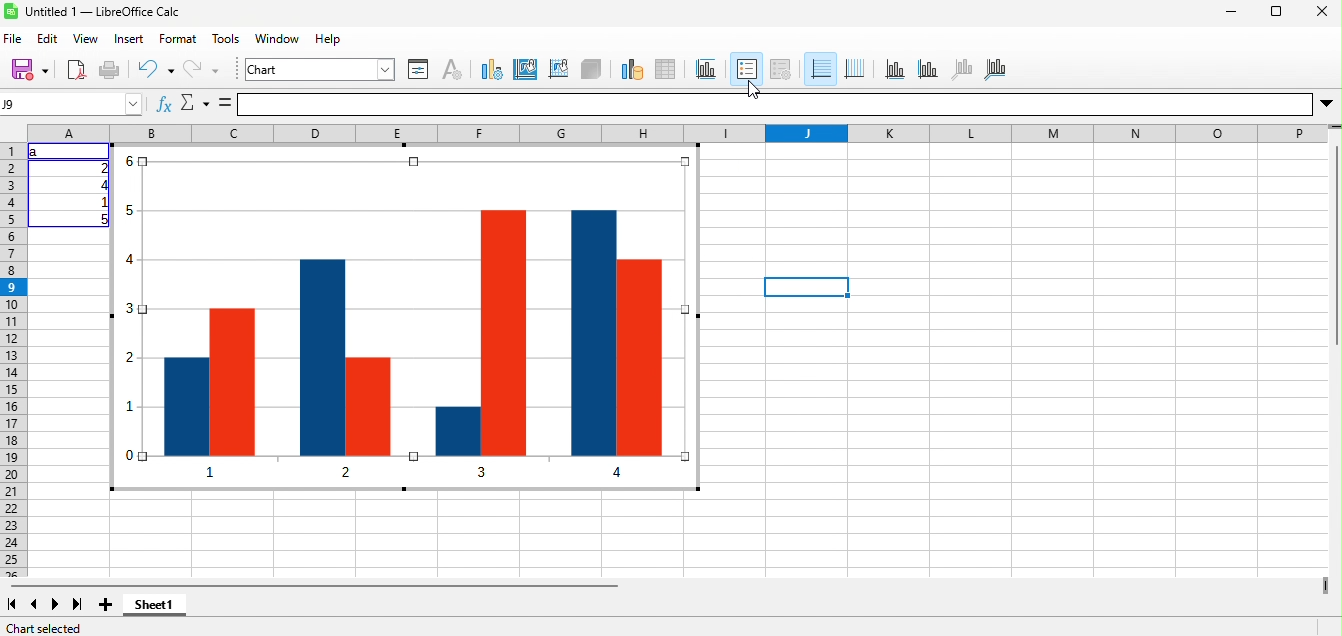 The width and height of the screenshot is (1342, 636). I want to click on chart area, so click(526, 70).